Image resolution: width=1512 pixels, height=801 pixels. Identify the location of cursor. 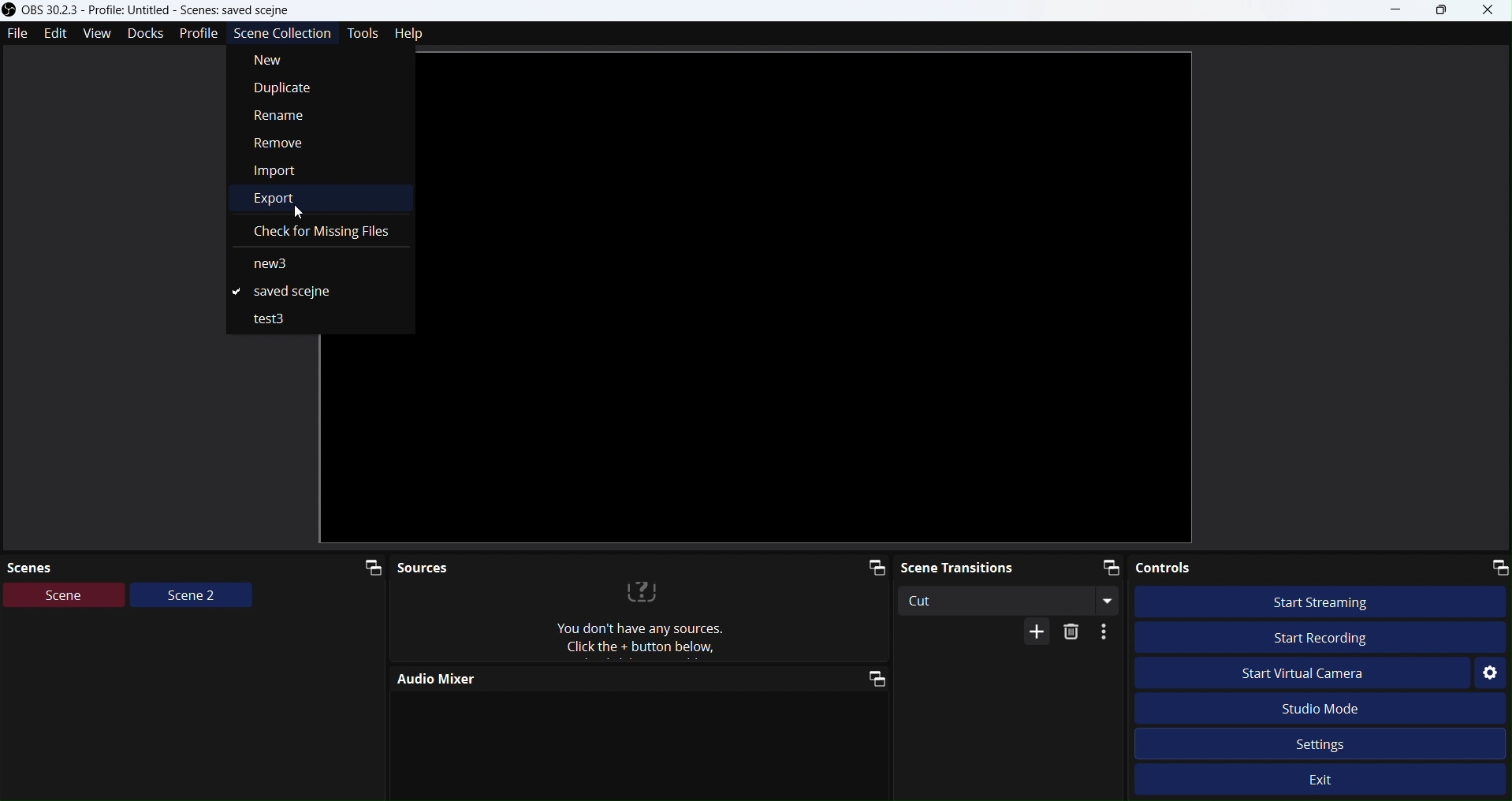
(298, 211).